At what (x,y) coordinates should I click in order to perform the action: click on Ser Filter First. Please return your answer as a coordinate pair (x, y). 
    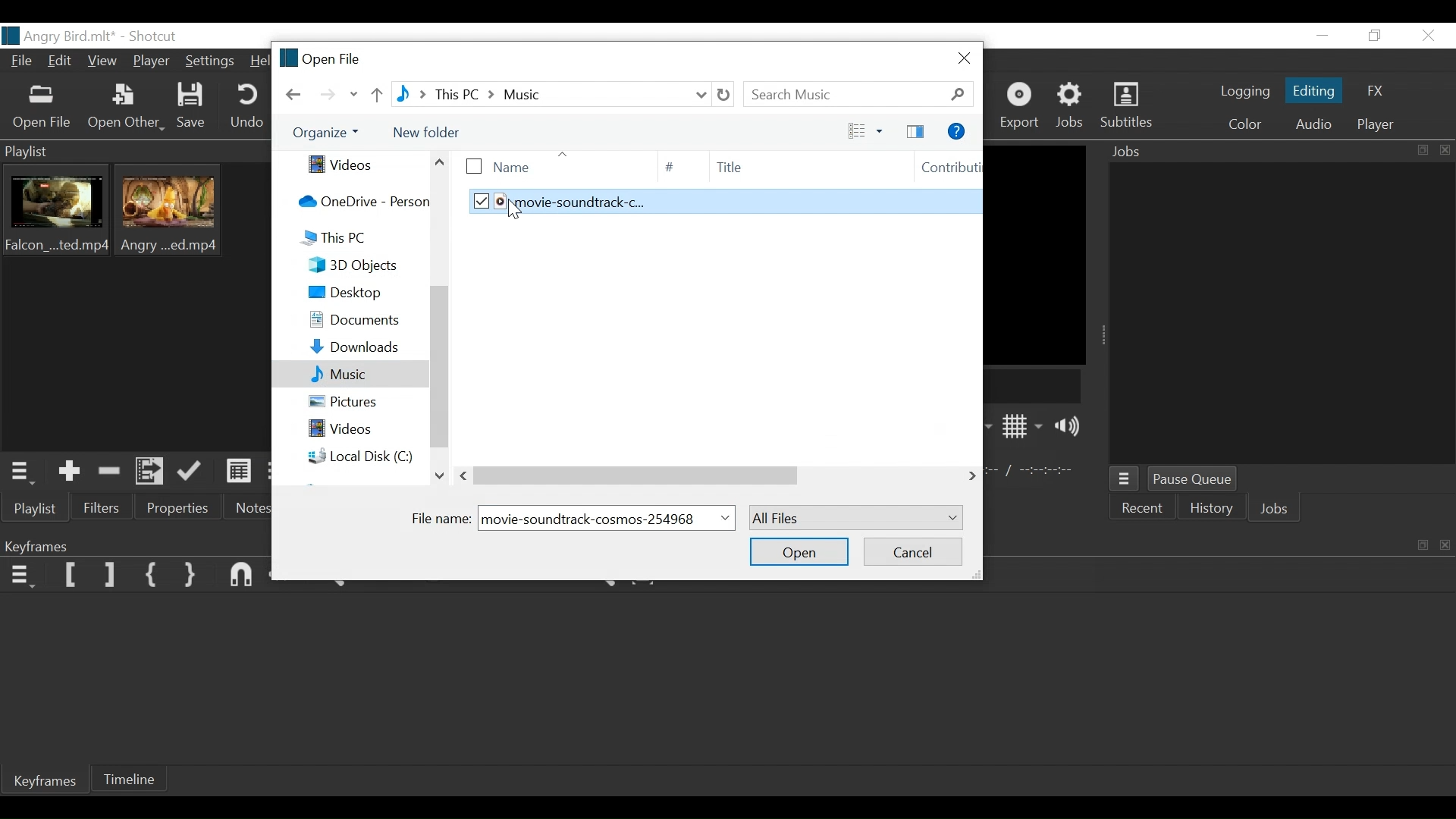
    Looking at the image, I should click on (71, 575).